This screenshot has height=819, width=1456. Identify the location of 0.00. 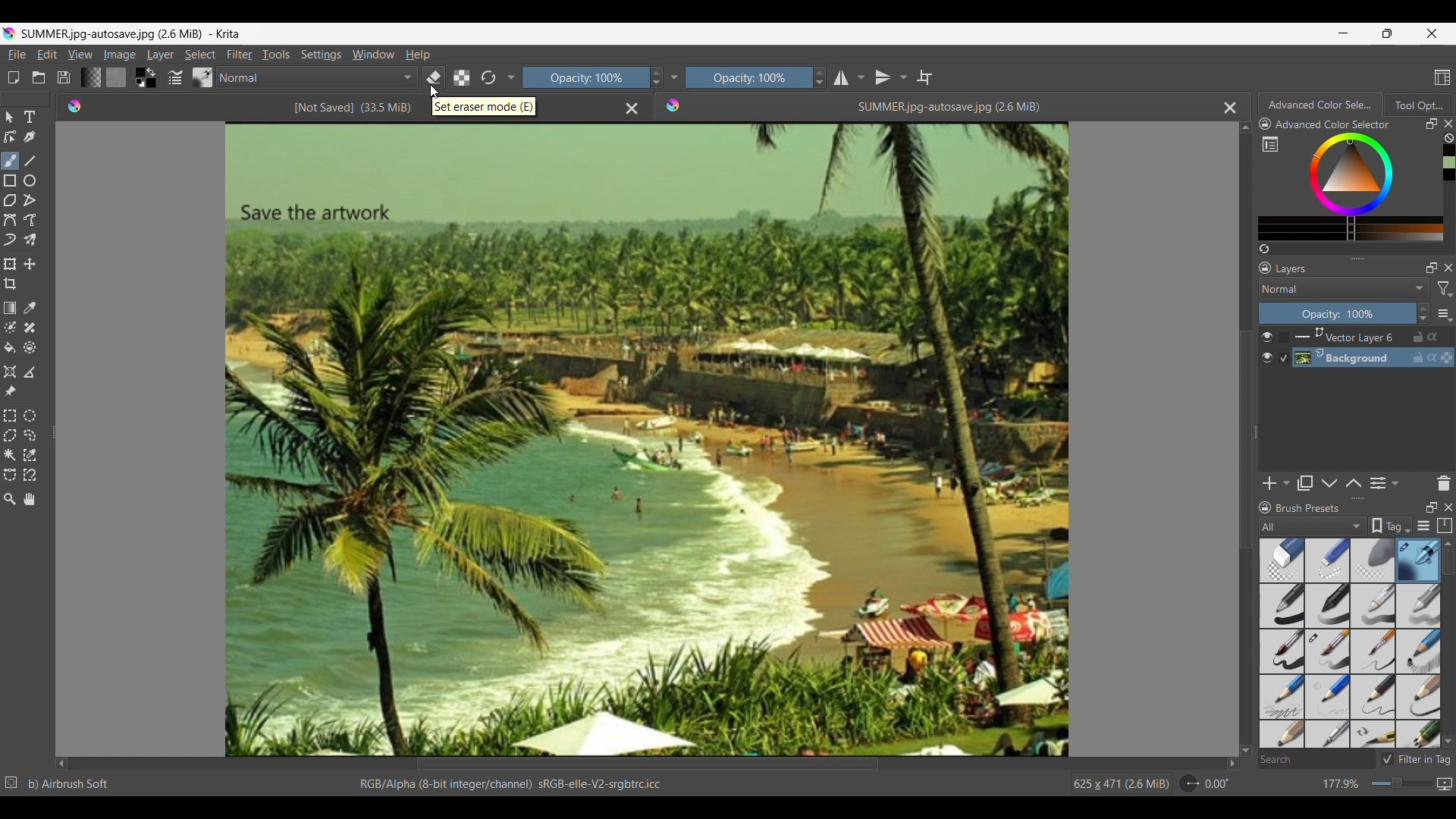
(1217, 784).